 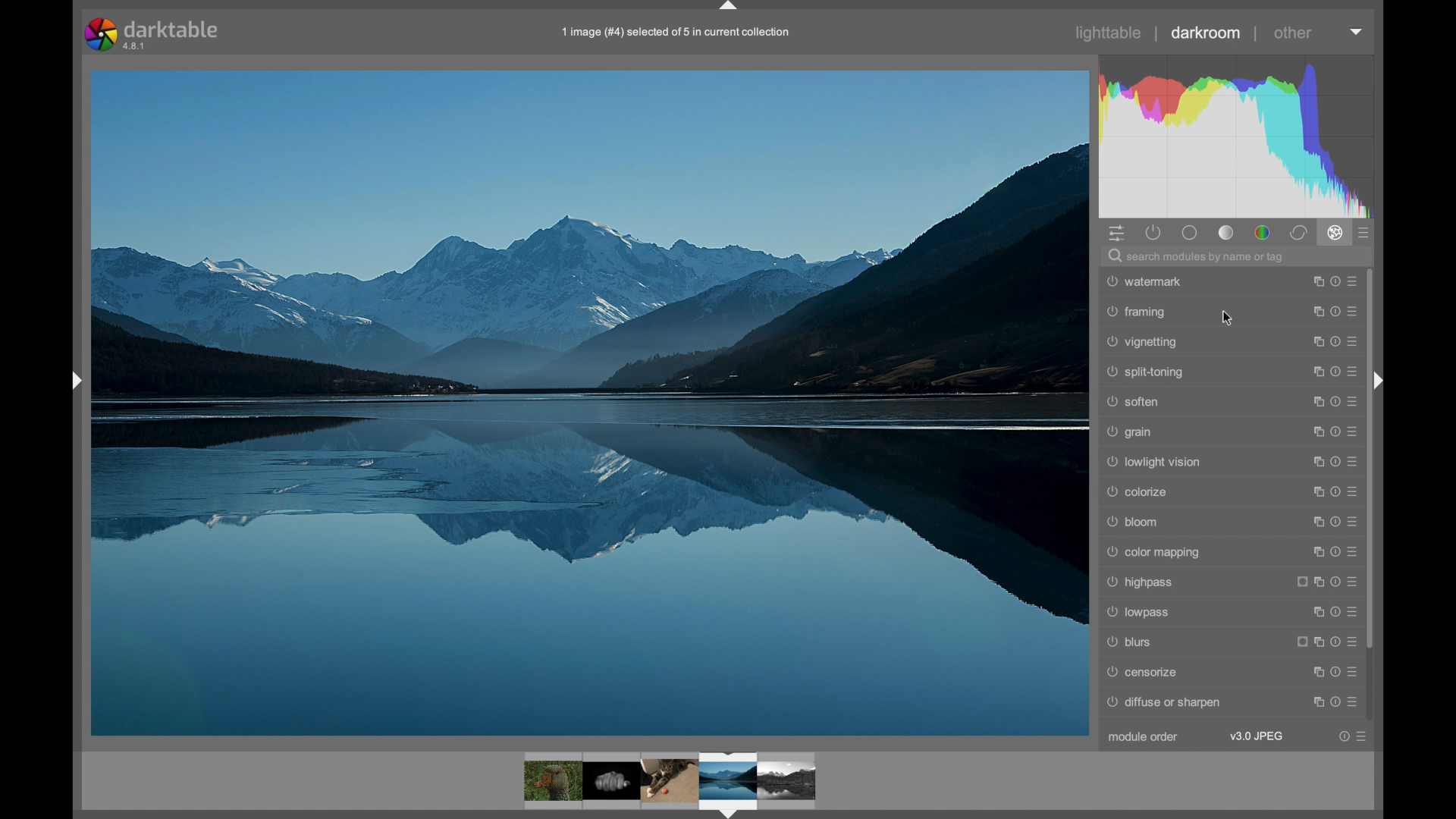 What do you see at coordinates (1336, 247) in the screenshot?
I see `Cursor` at bounding box center [1336, 247].